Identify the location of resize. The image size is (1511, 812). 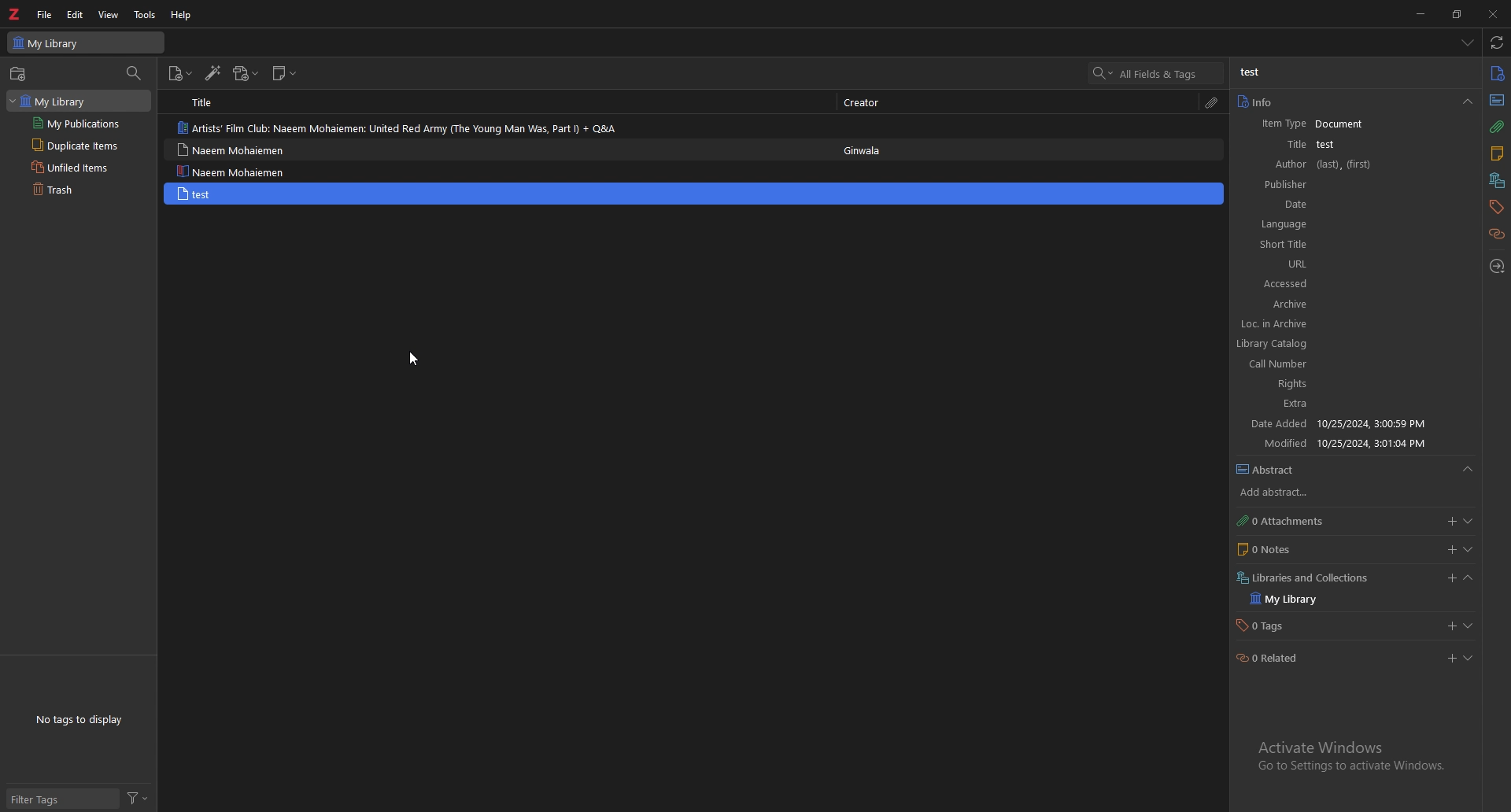
(1459, 13).